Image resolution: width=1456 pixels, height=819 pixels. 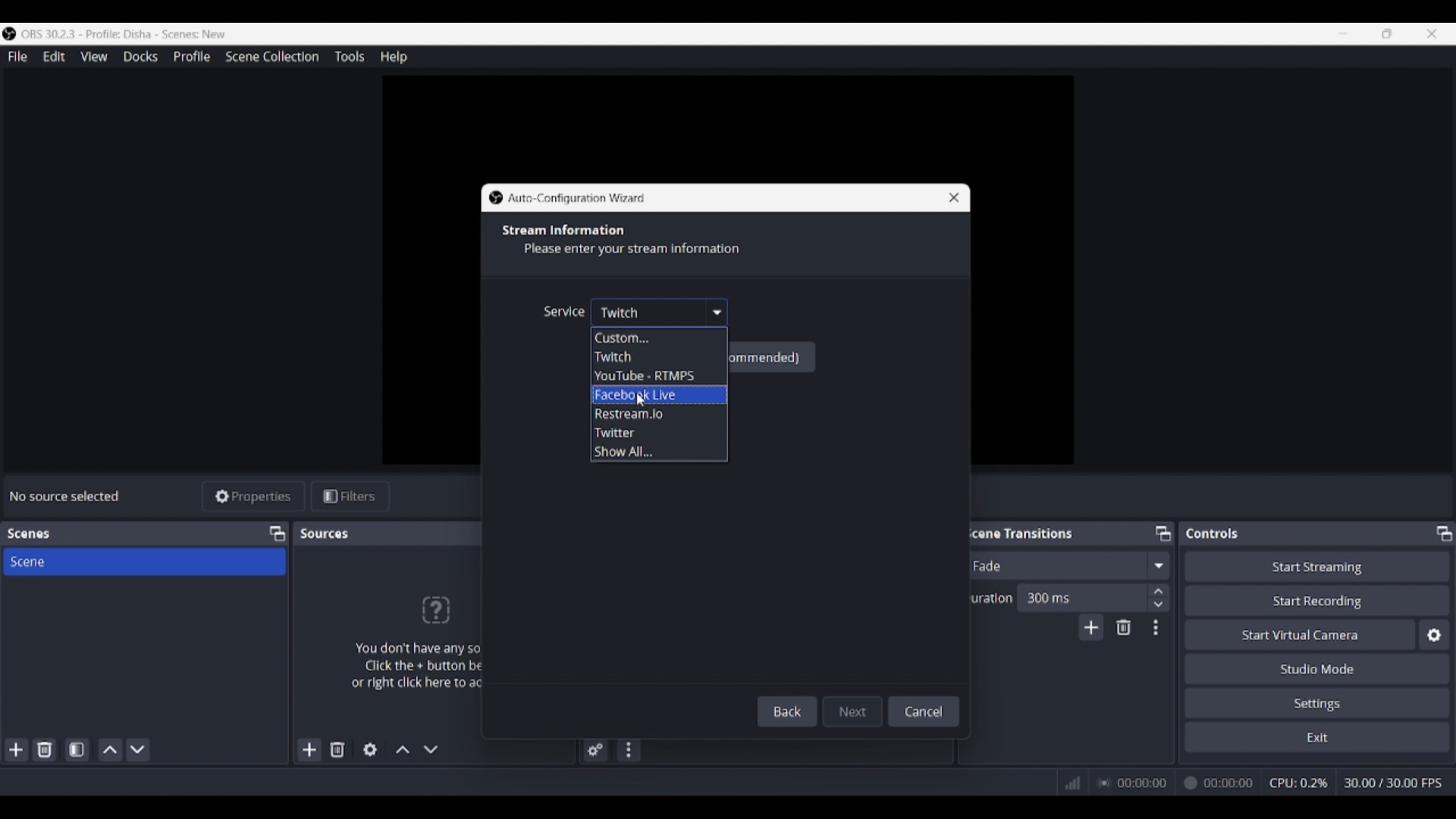 I want to click on Window title, so click(x=577, y=199).